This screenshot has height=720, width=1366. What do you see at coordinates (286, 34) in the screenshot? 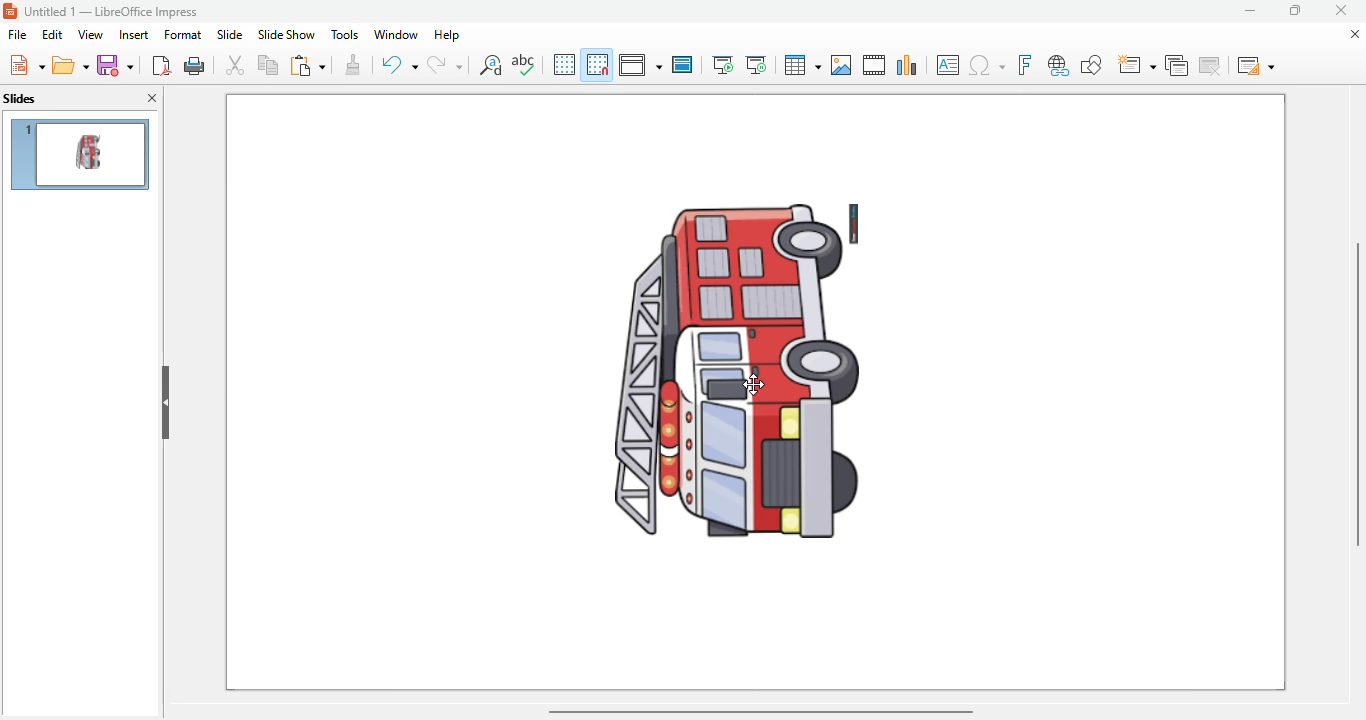
I see `slide show` at bounding box center [286, 34].